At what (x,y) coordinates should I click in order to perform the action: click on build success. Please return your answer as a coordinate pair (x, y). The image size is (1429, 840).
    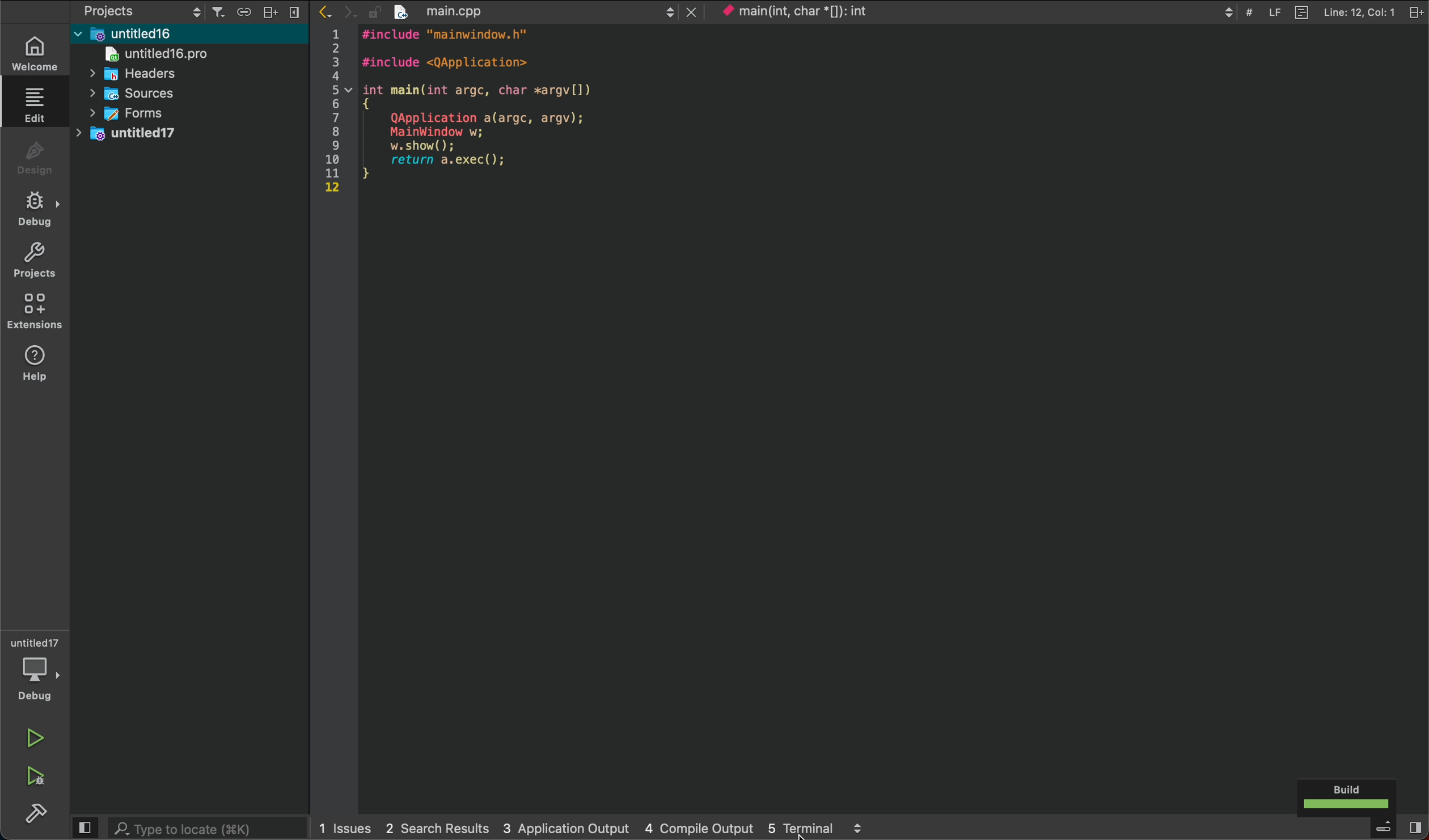
    Looking at the image, I should click on (1344, 796).